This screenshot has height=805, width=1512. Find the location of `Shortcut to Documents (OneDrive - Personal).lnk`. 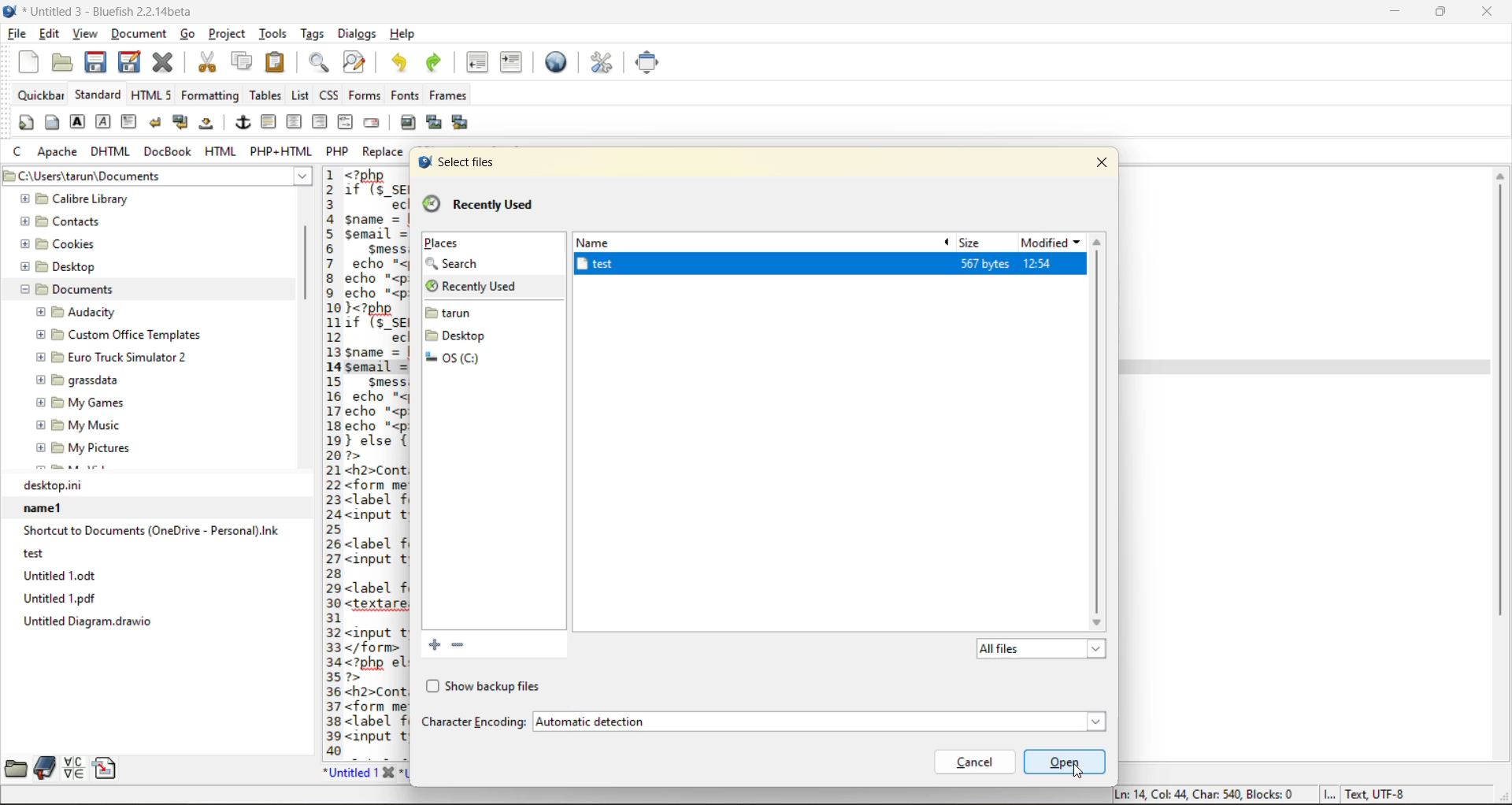

Shortcut to Documents (OneDrive - Personal).lnk is located at coordinates (150, 531).